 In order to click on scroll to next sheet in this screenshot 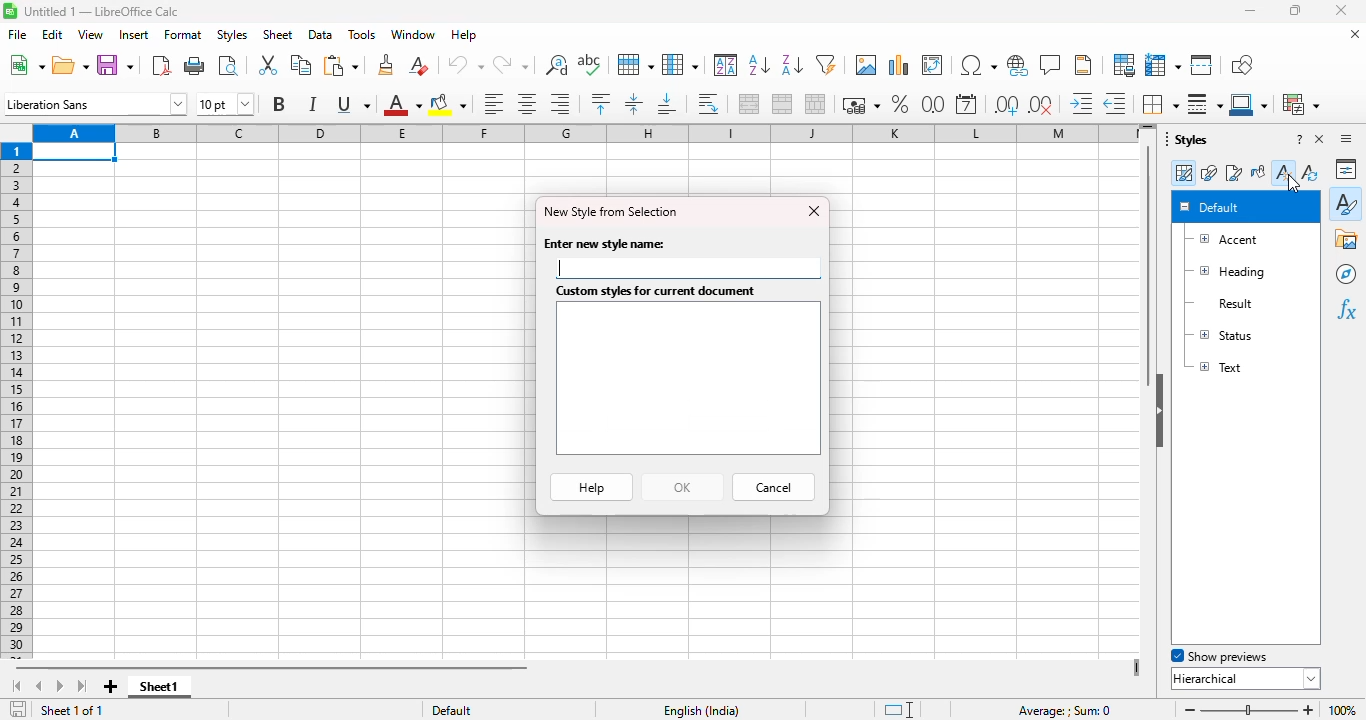, I will do `click(61, 687)`.